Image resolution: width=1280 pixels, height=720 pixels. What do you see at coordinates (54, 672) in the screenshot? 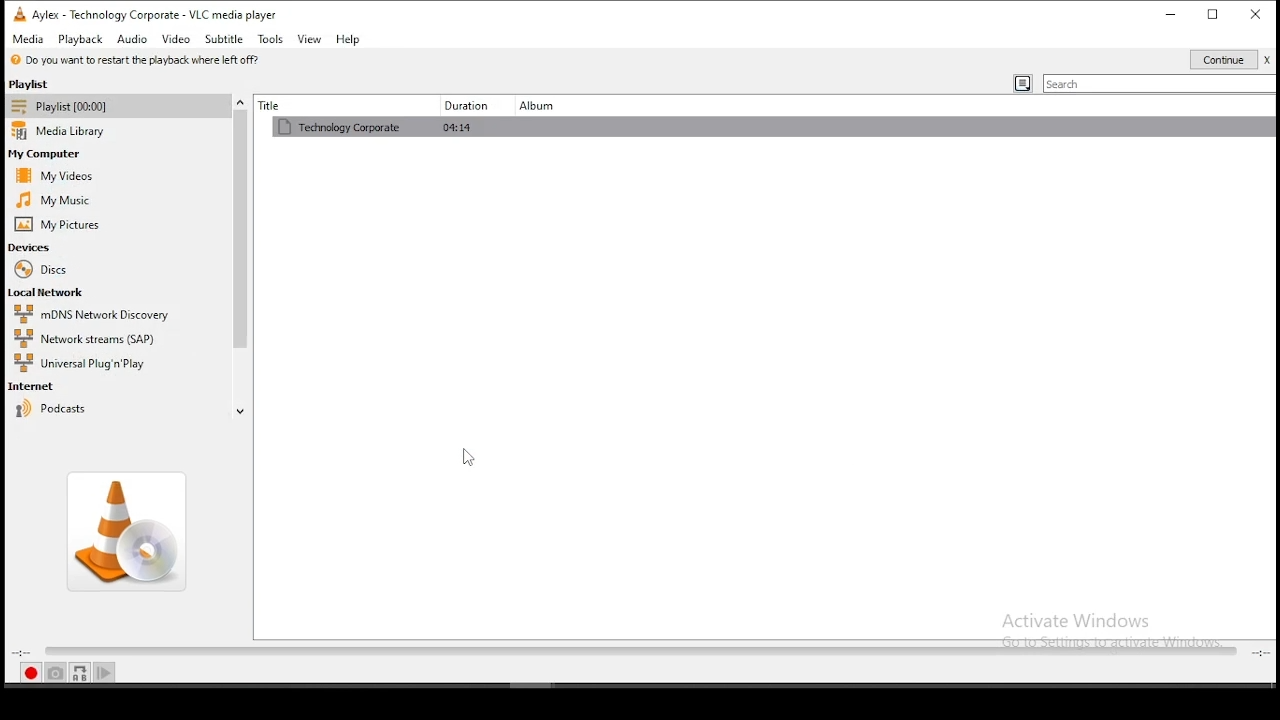
I see `take a snapshot` at bounding box center [54, 672].